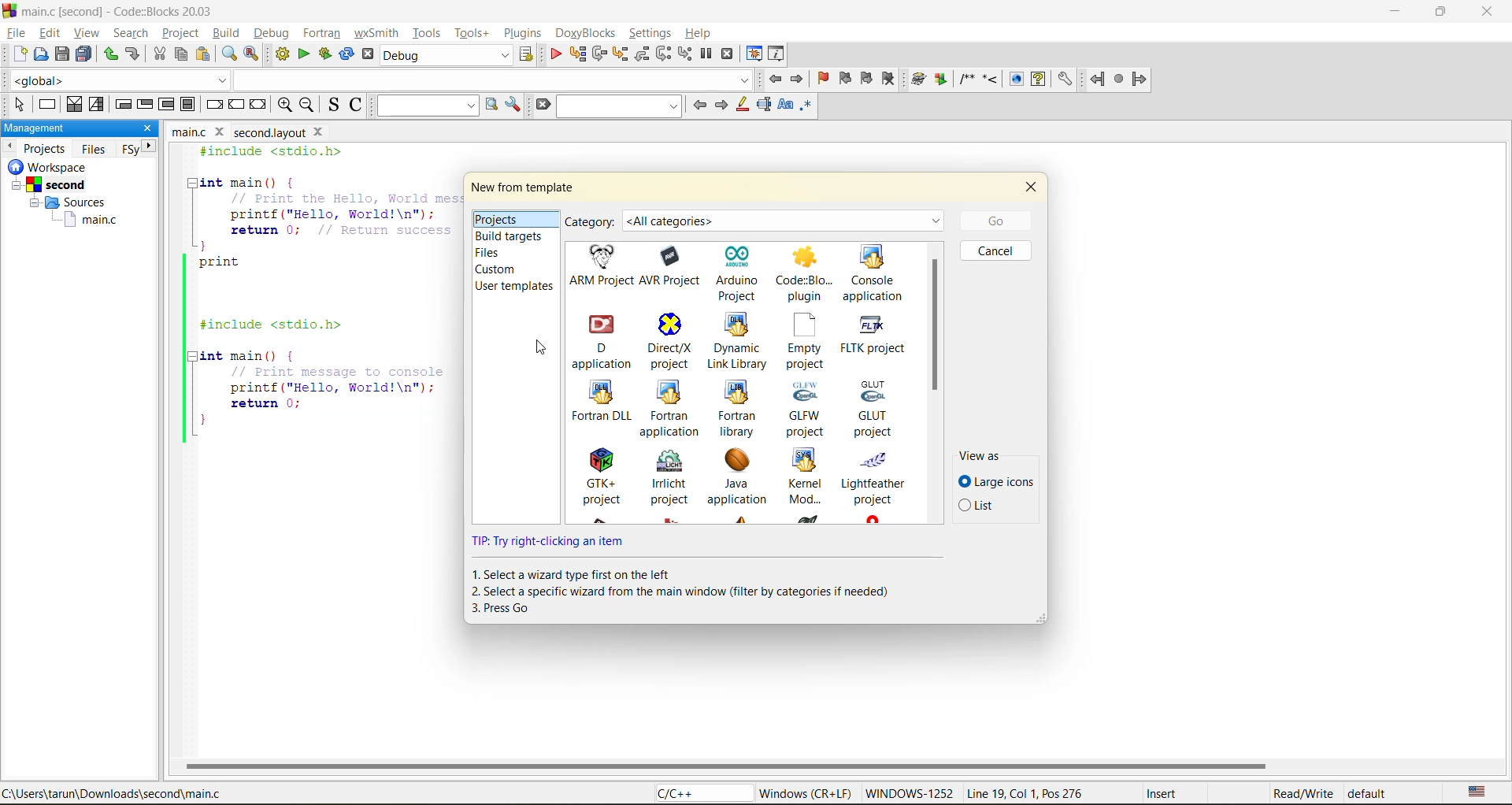  Describe the element at coordinates (125, 106) in the screenshot. I see `entry condition loop` at that location.